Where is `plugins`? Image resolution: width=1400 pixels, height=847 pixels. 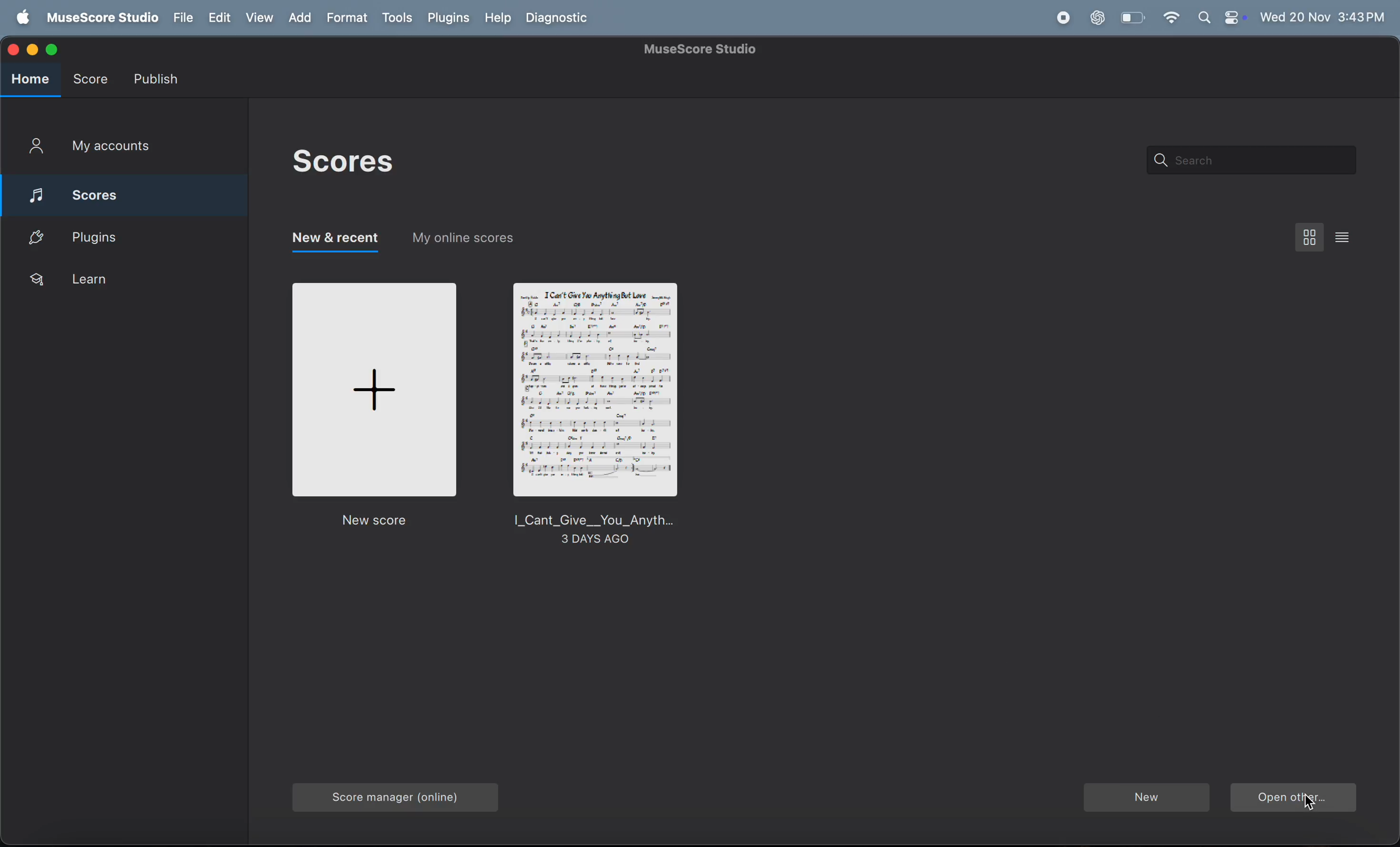
plugins is located at coordinates (126, 237).